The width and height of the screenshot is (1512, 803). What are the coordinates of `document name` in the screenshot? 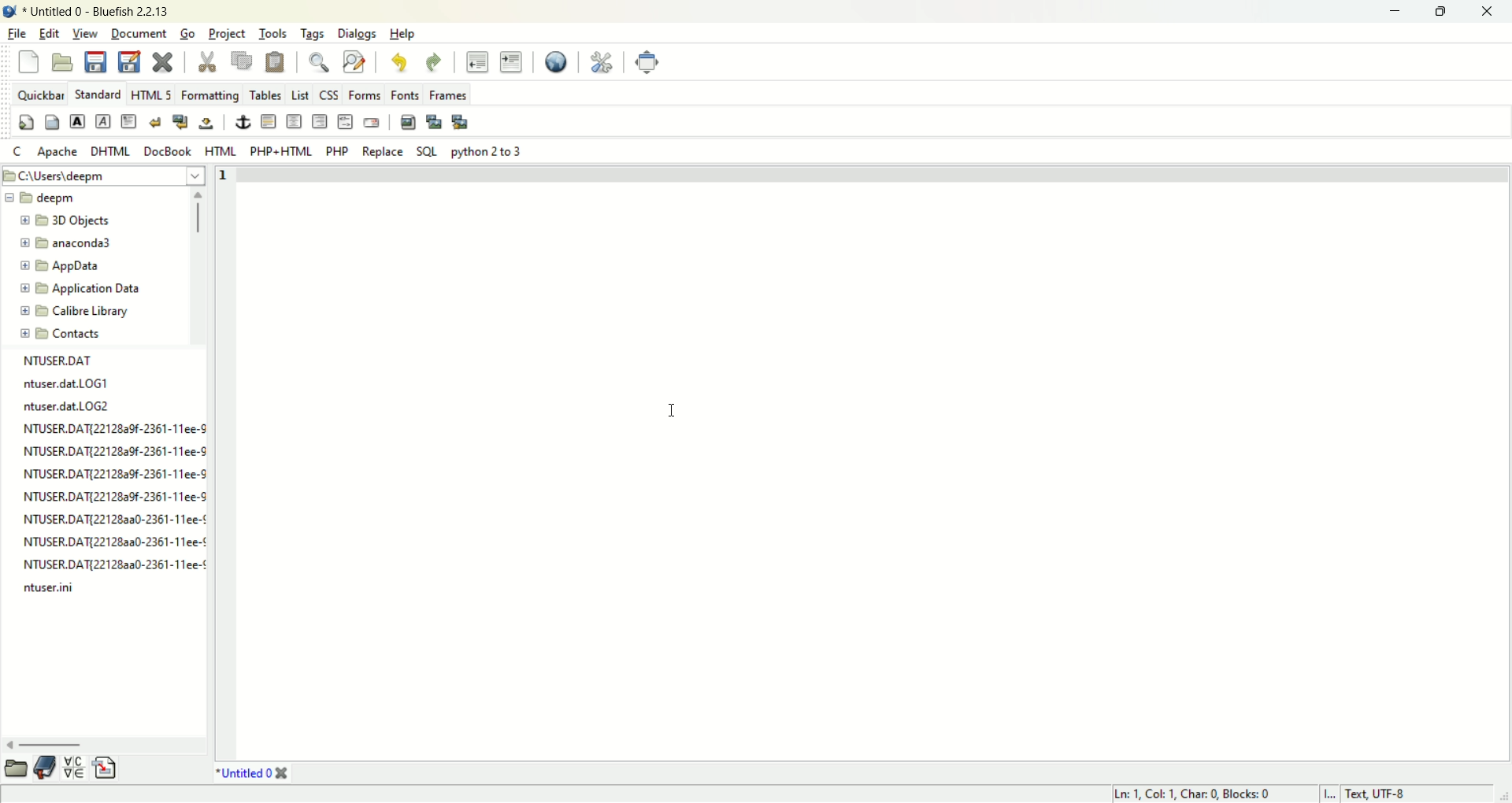 It's located at (240, 775).